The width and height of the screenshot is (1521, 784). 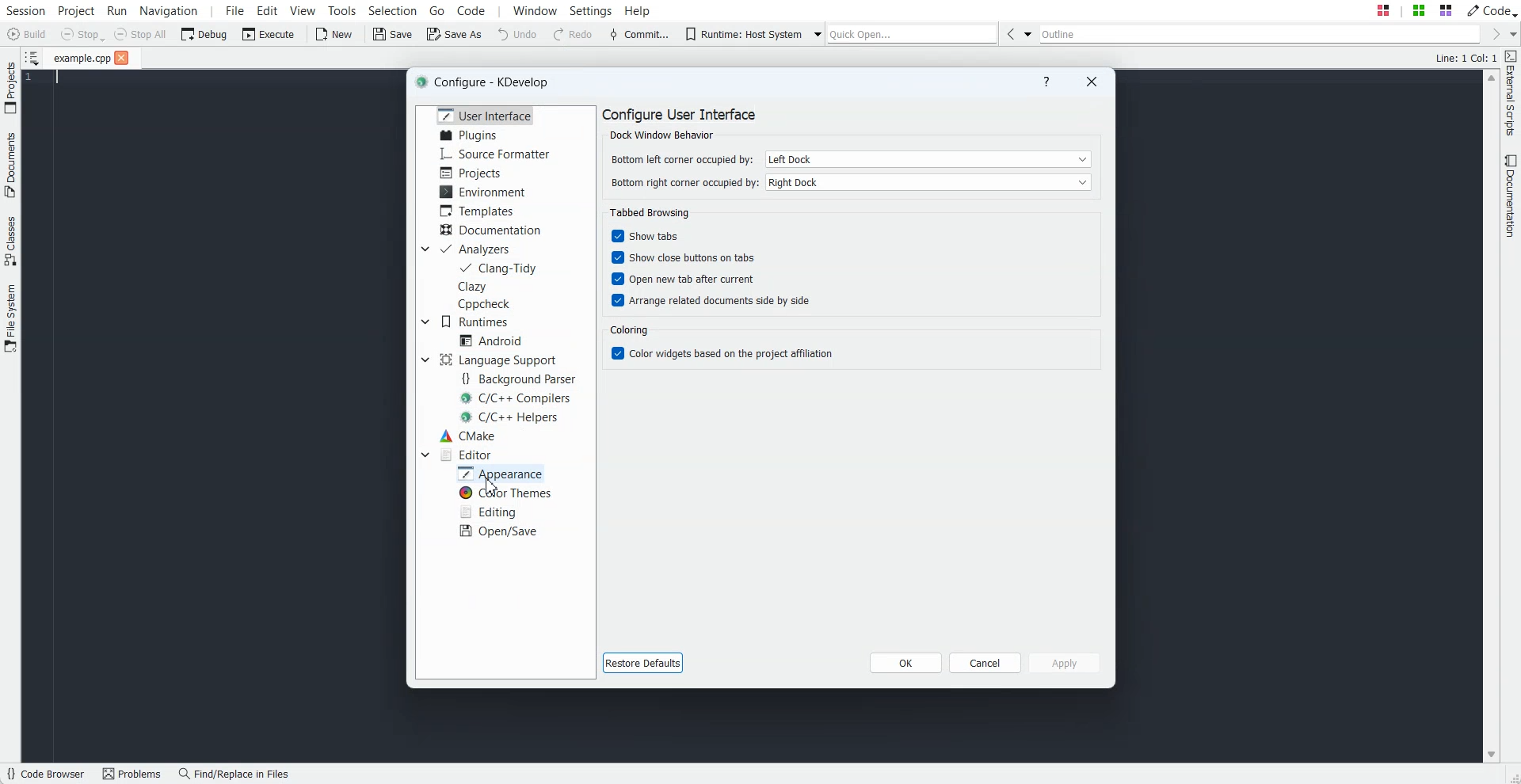 What do you see at coordinates (478, 210) in the screenshot?
I see `Templates` at bounding box center [478, 210].